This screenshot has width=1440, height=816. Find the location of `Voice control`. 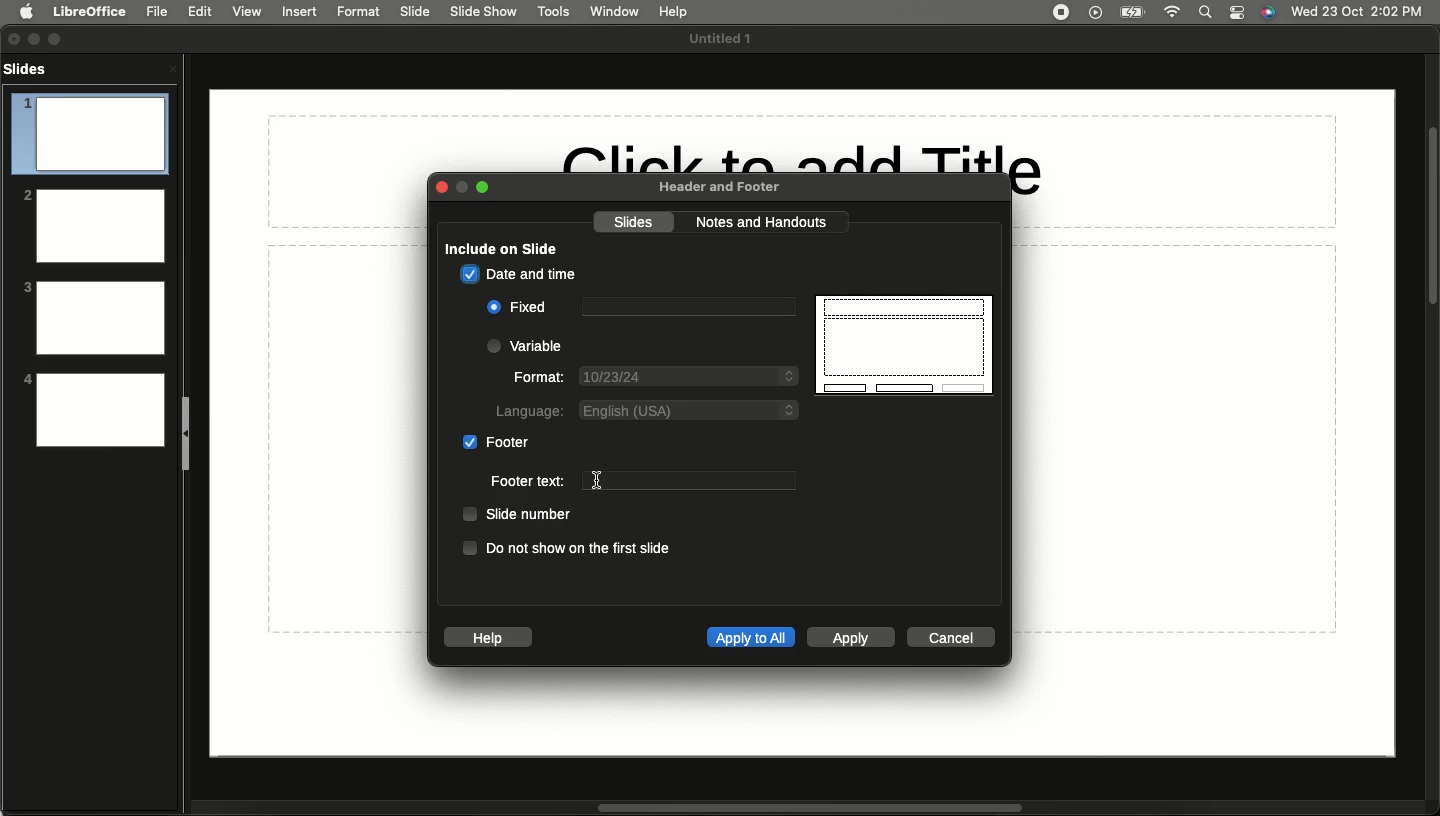

Voice control is located at coordinates (1268, 13).